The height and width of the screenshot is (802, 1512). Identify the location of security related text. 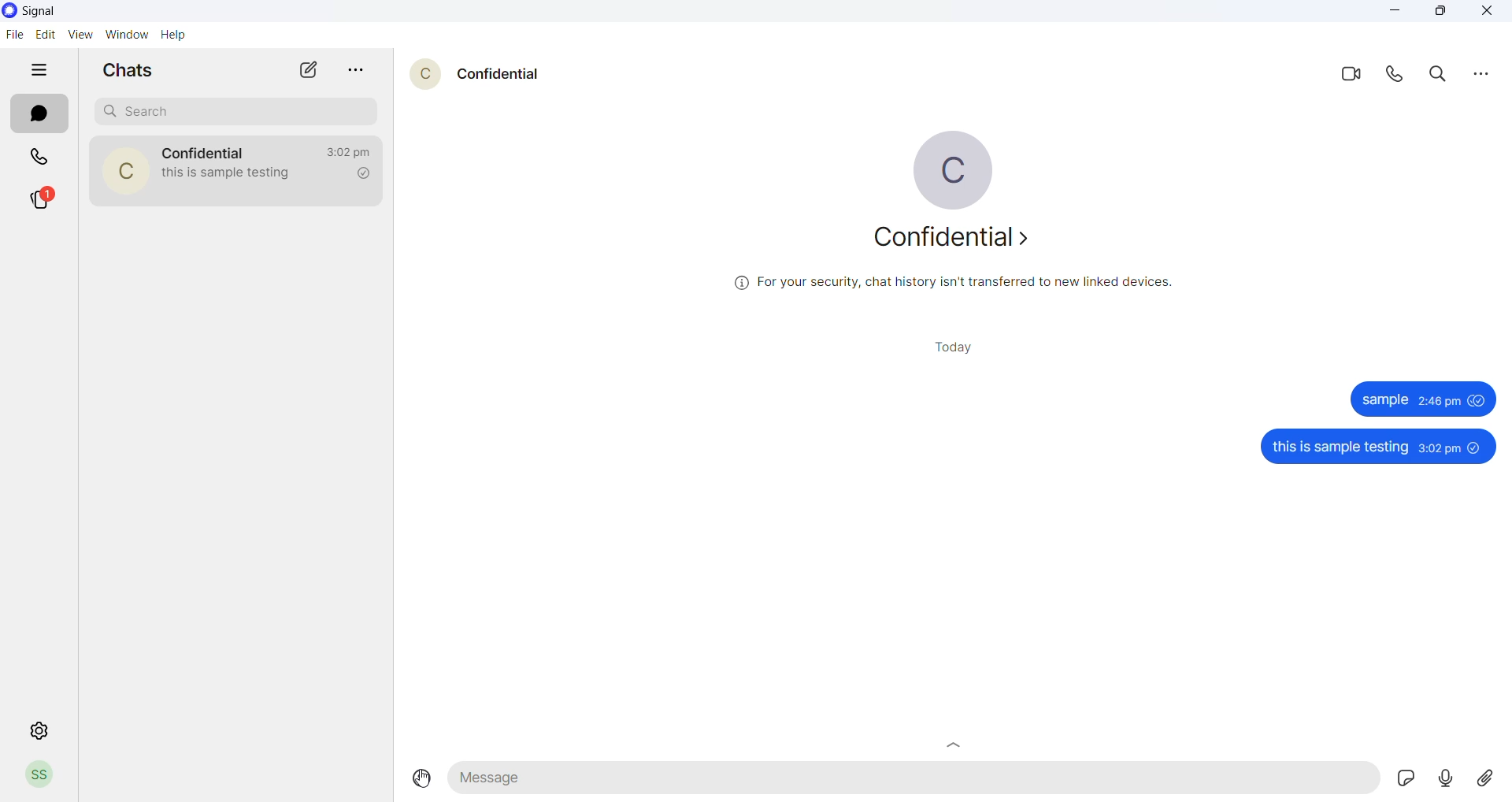
(952, 284).